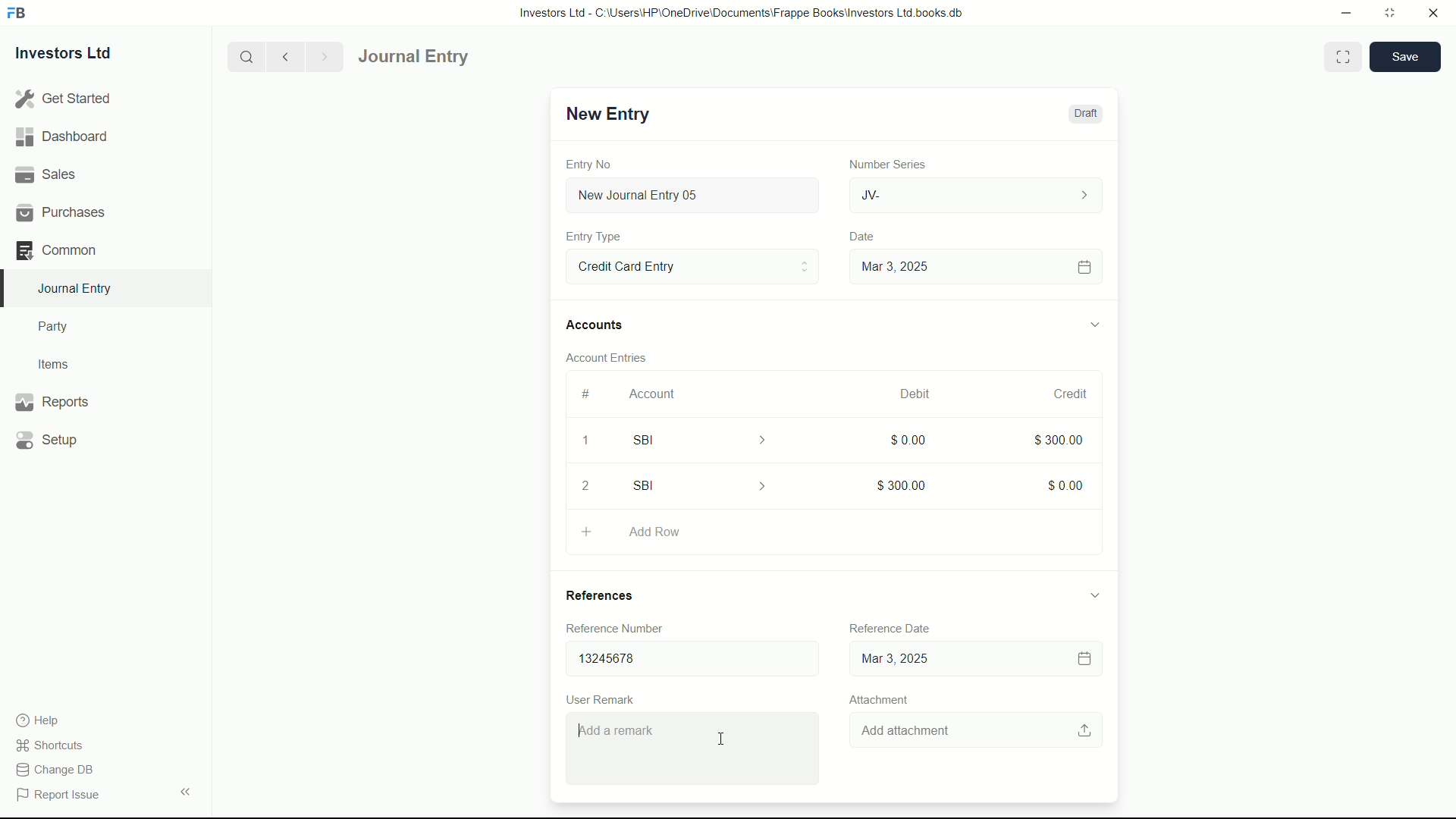 This screenshot has width=1456, height=819. Describe the element at coordinates (1067, 482) in the screenshot. I see `$0.00` at that location.